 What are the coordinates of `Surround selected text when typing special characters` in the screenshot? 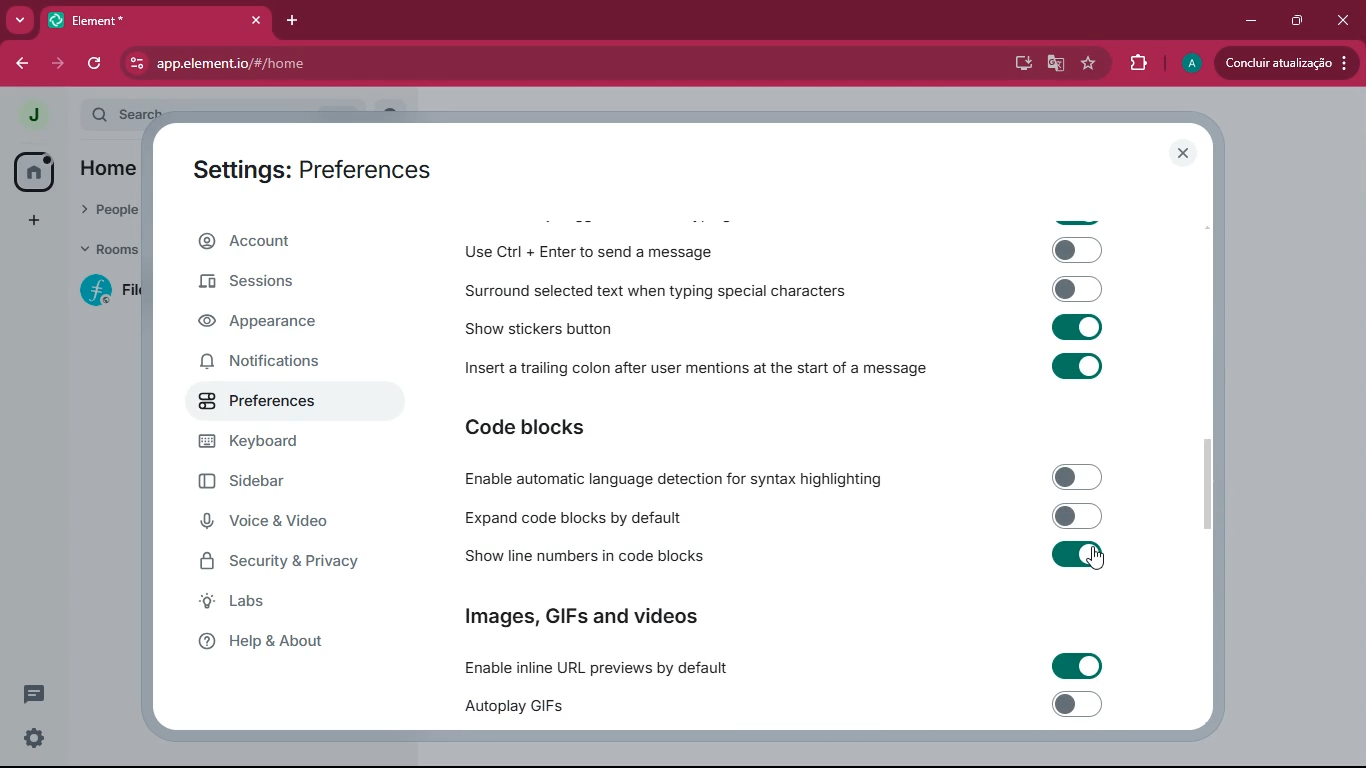 It's located at (780, 290).